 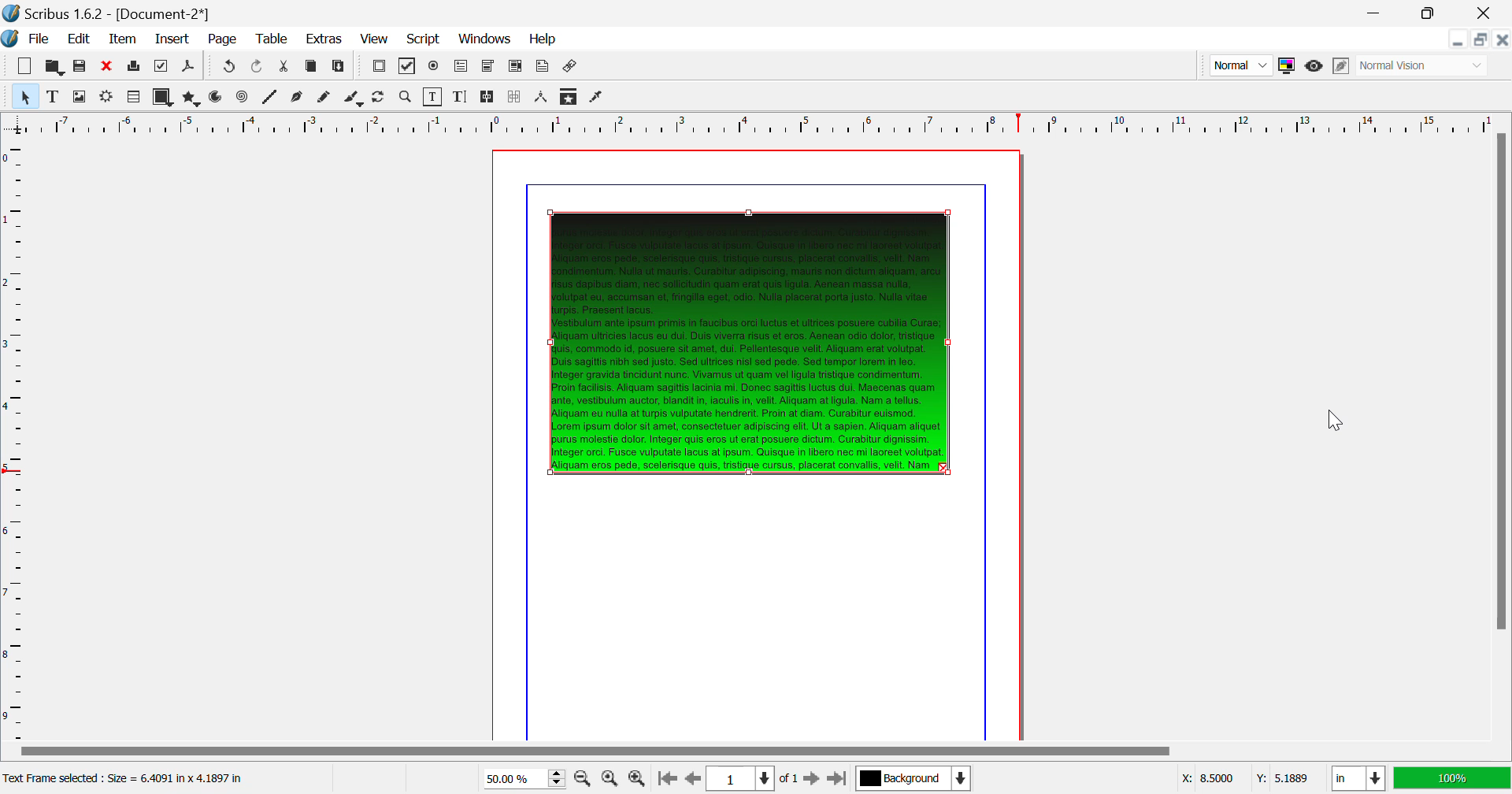 I want to click on Close, so click(x=1488, y=13).